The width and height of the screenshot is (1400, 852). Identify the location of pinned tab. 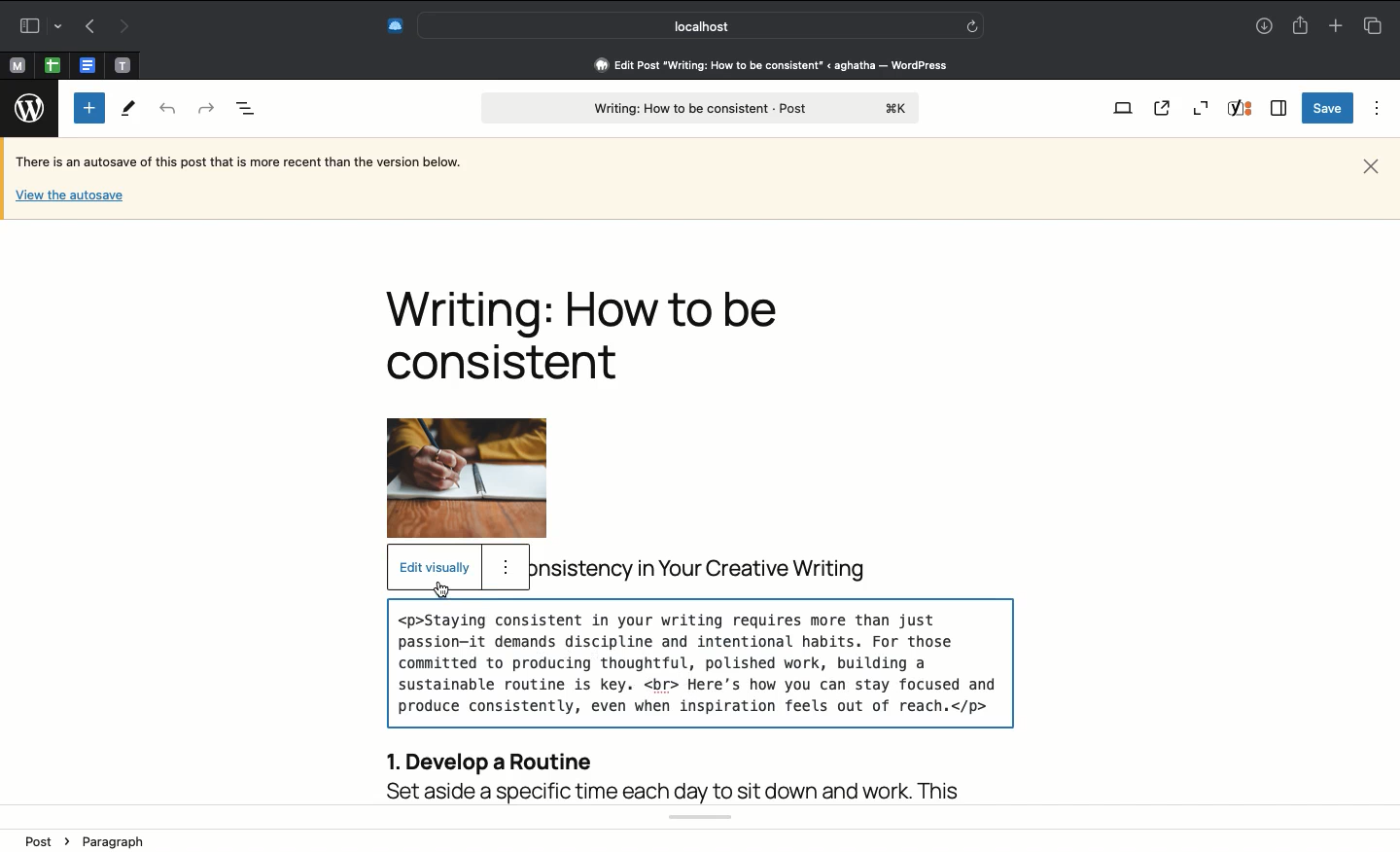
(124, 62).